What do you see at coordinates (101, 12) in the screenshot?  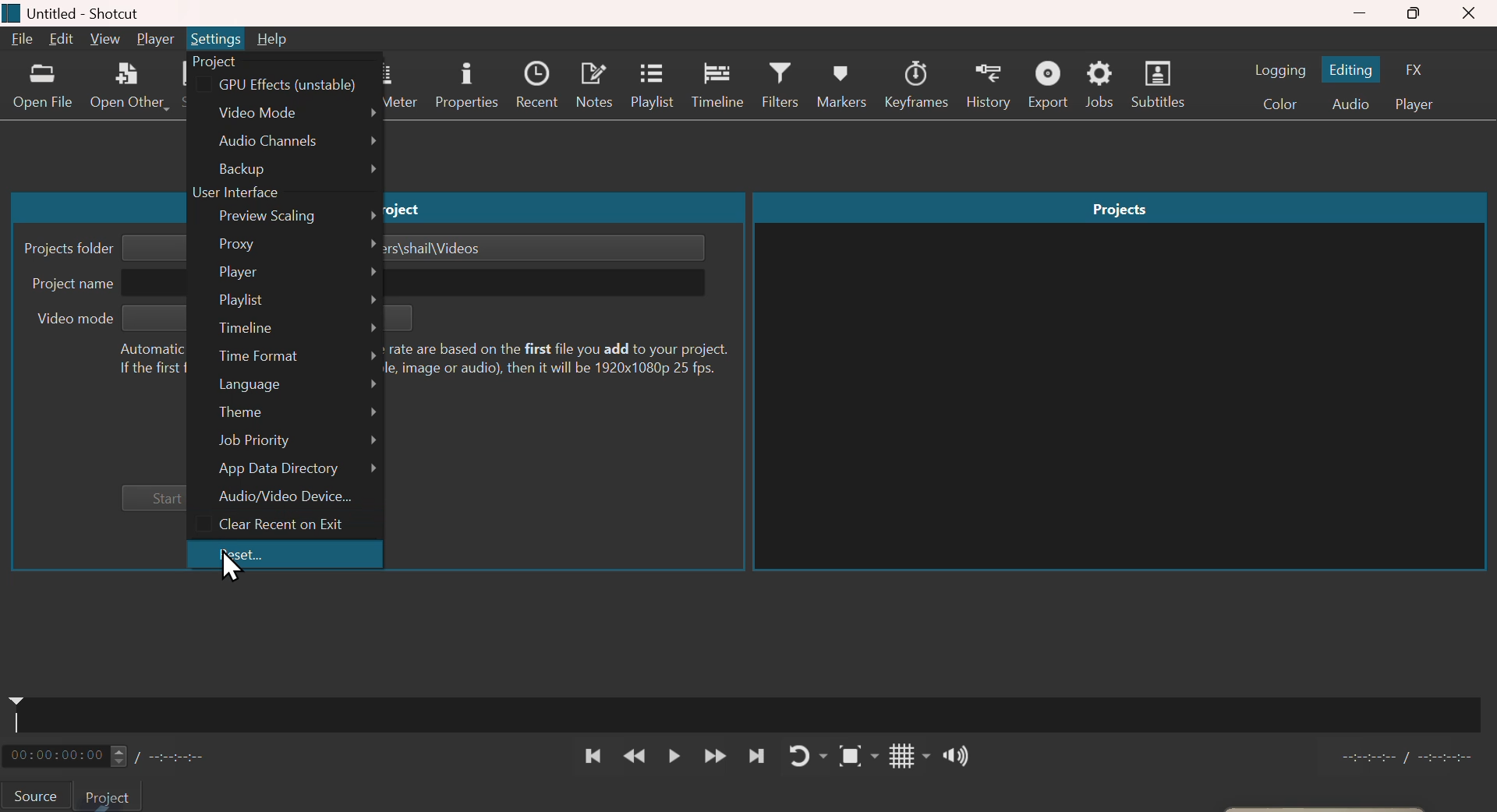 I see `Untitled - Shortcut` at bounding box center [101, 12].